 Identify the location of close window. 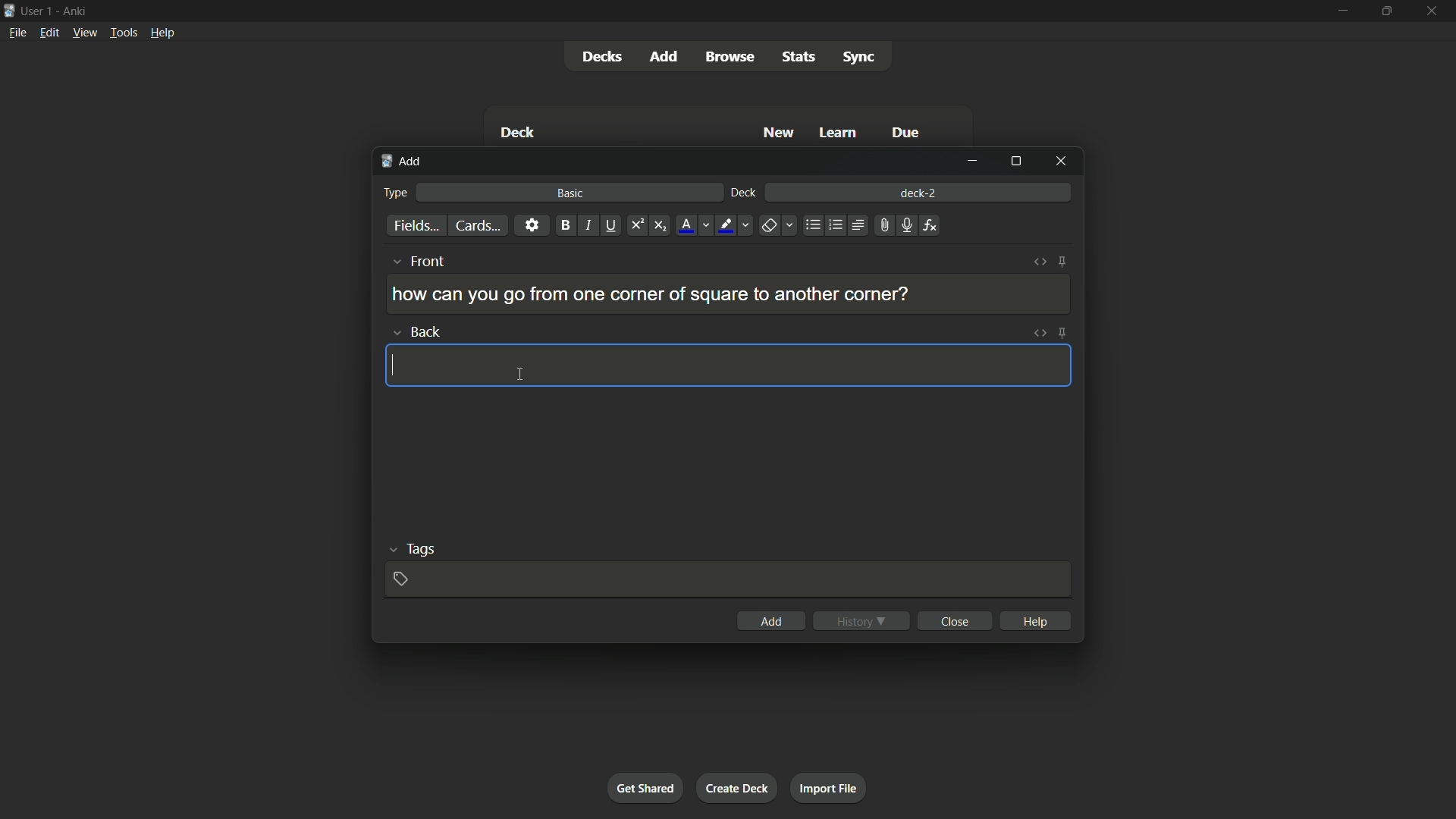
(1058, 161).